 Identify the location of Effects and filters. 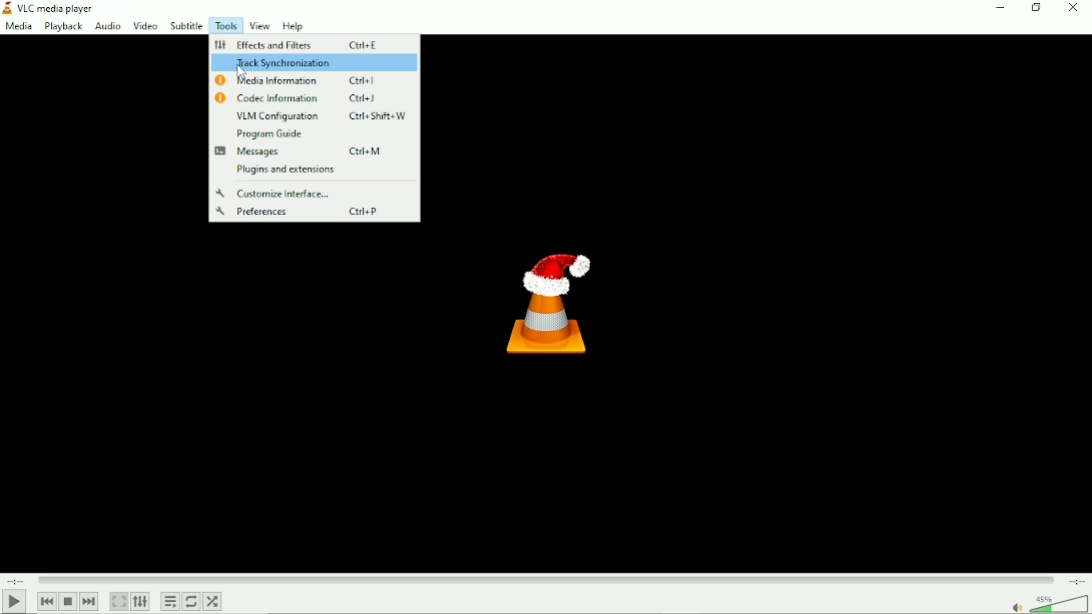
(296, 46).